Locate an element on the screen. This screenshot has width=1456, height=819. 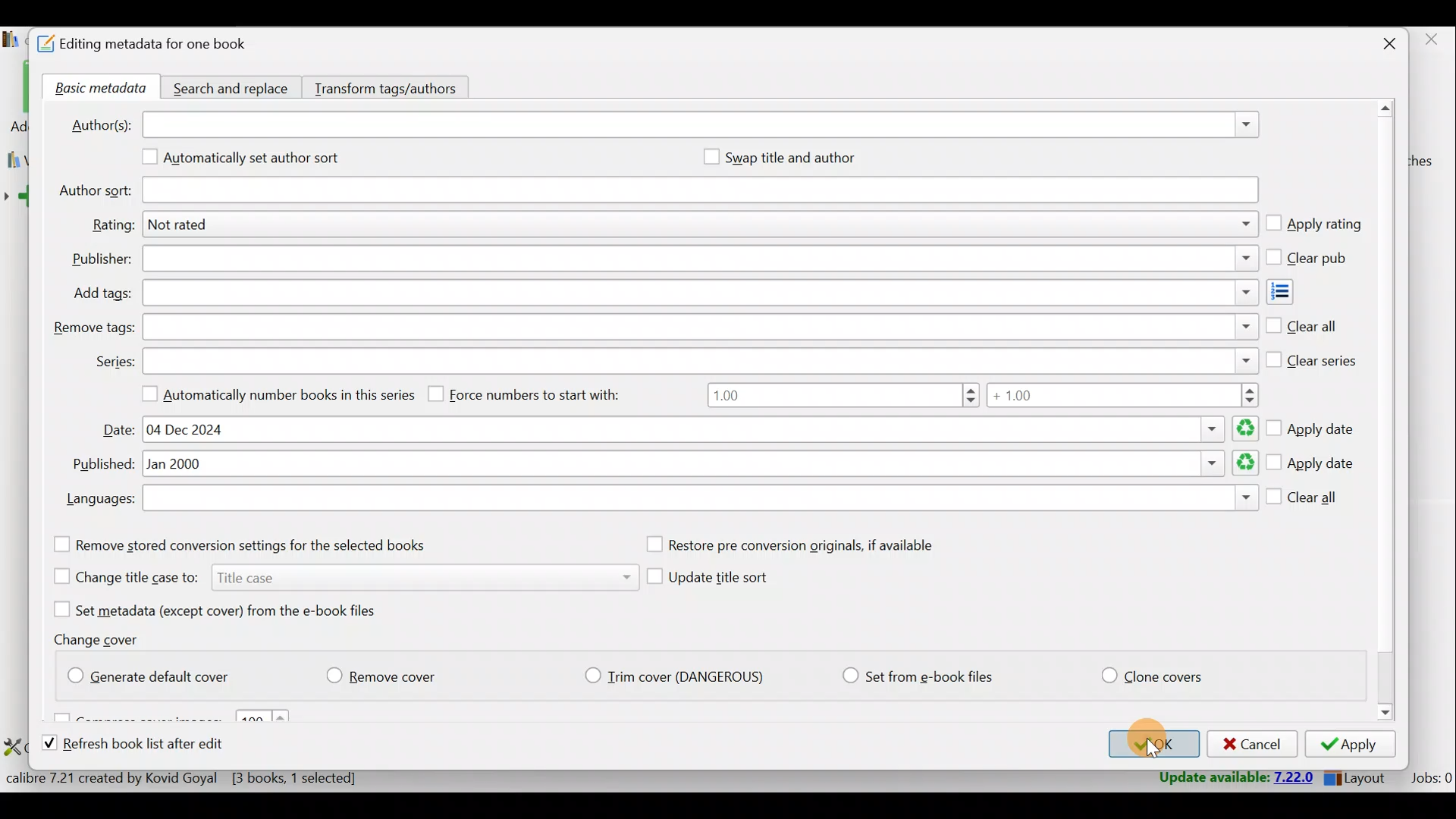
Force numbers to start with is located at coordinates (535, 394).